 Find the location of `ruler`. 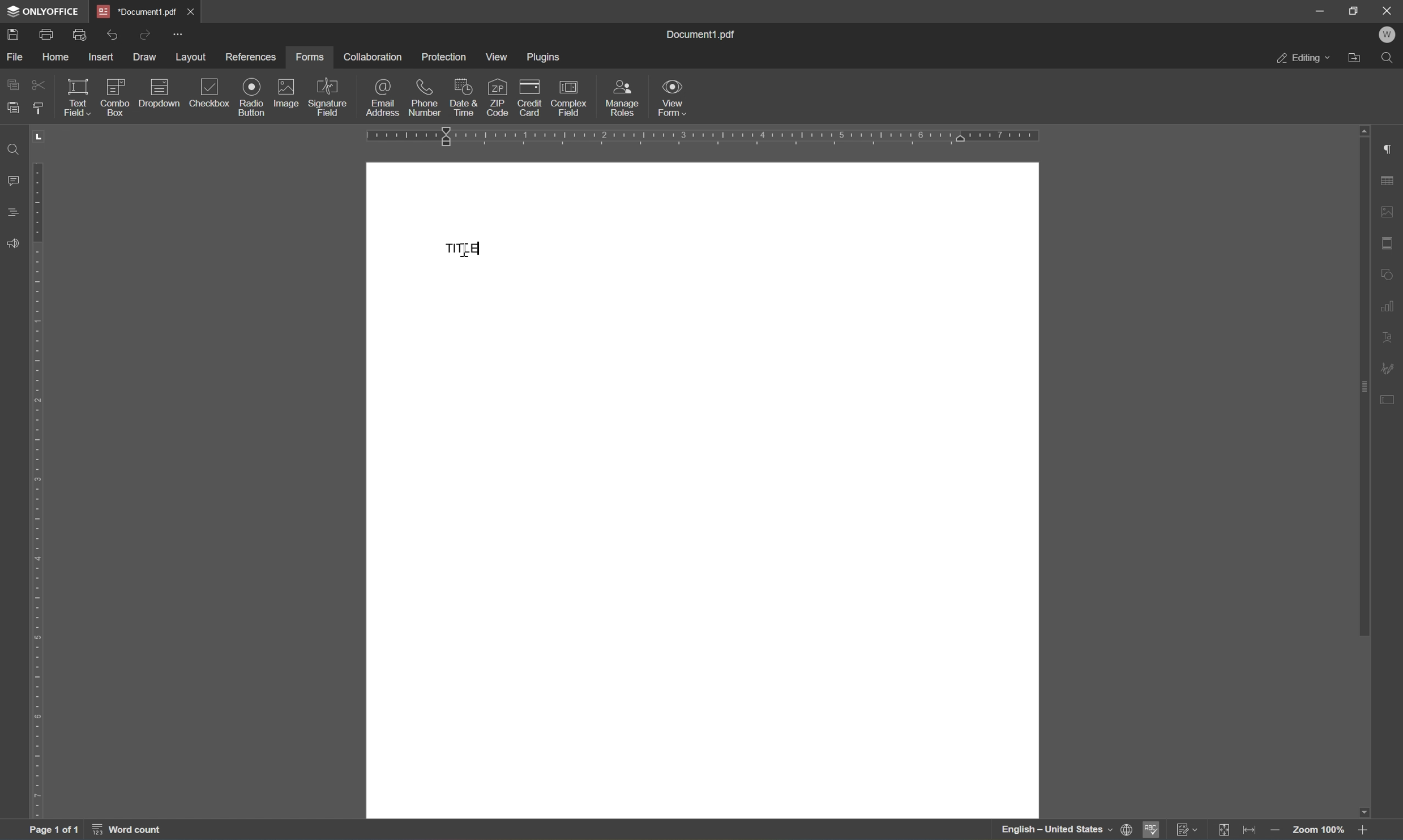

ruler is located at coordinates (701, 136).